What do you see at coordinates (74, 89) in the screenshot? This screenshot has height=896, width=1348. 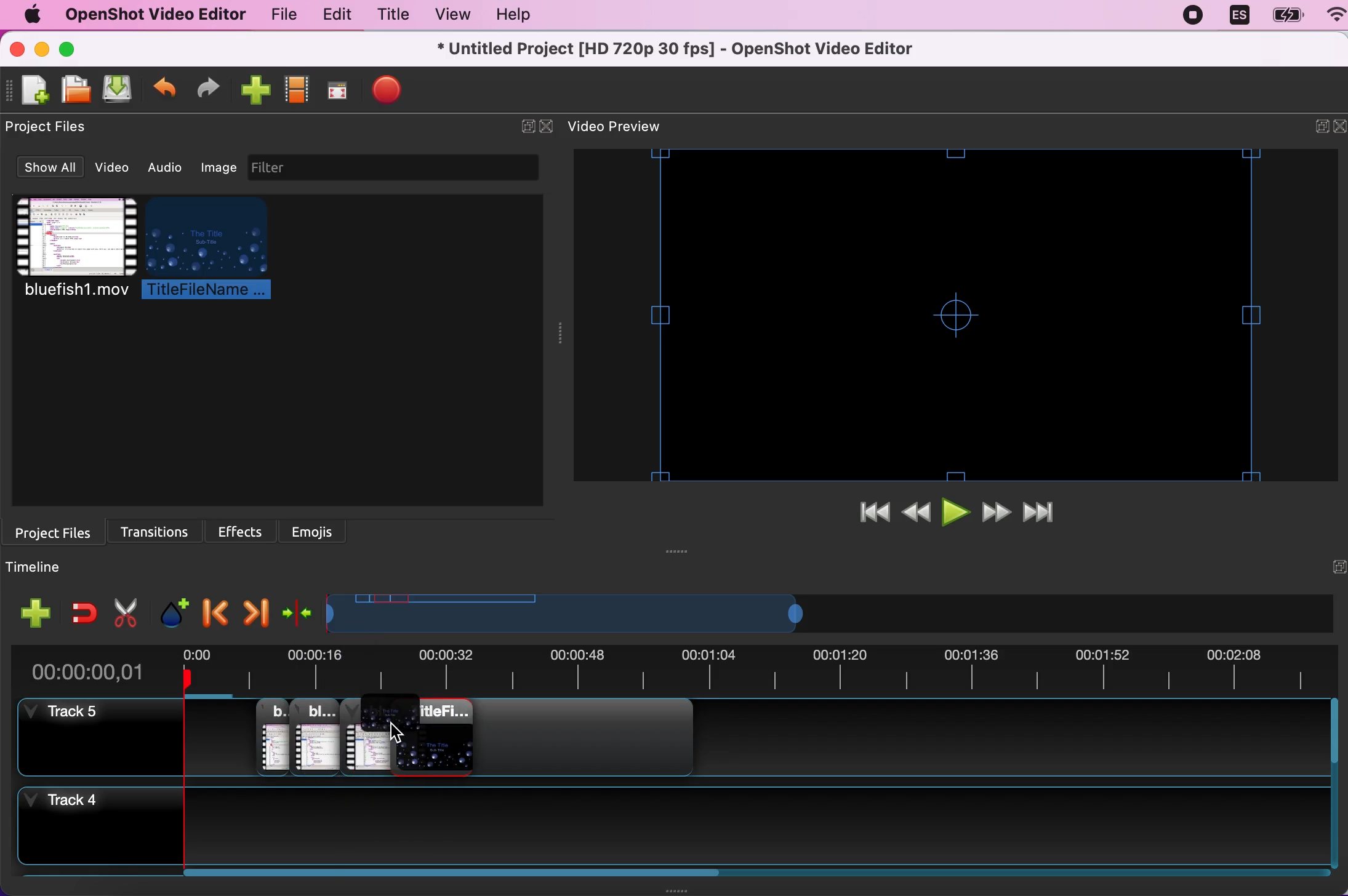 I see `open project` at bounding box center [74, 89].